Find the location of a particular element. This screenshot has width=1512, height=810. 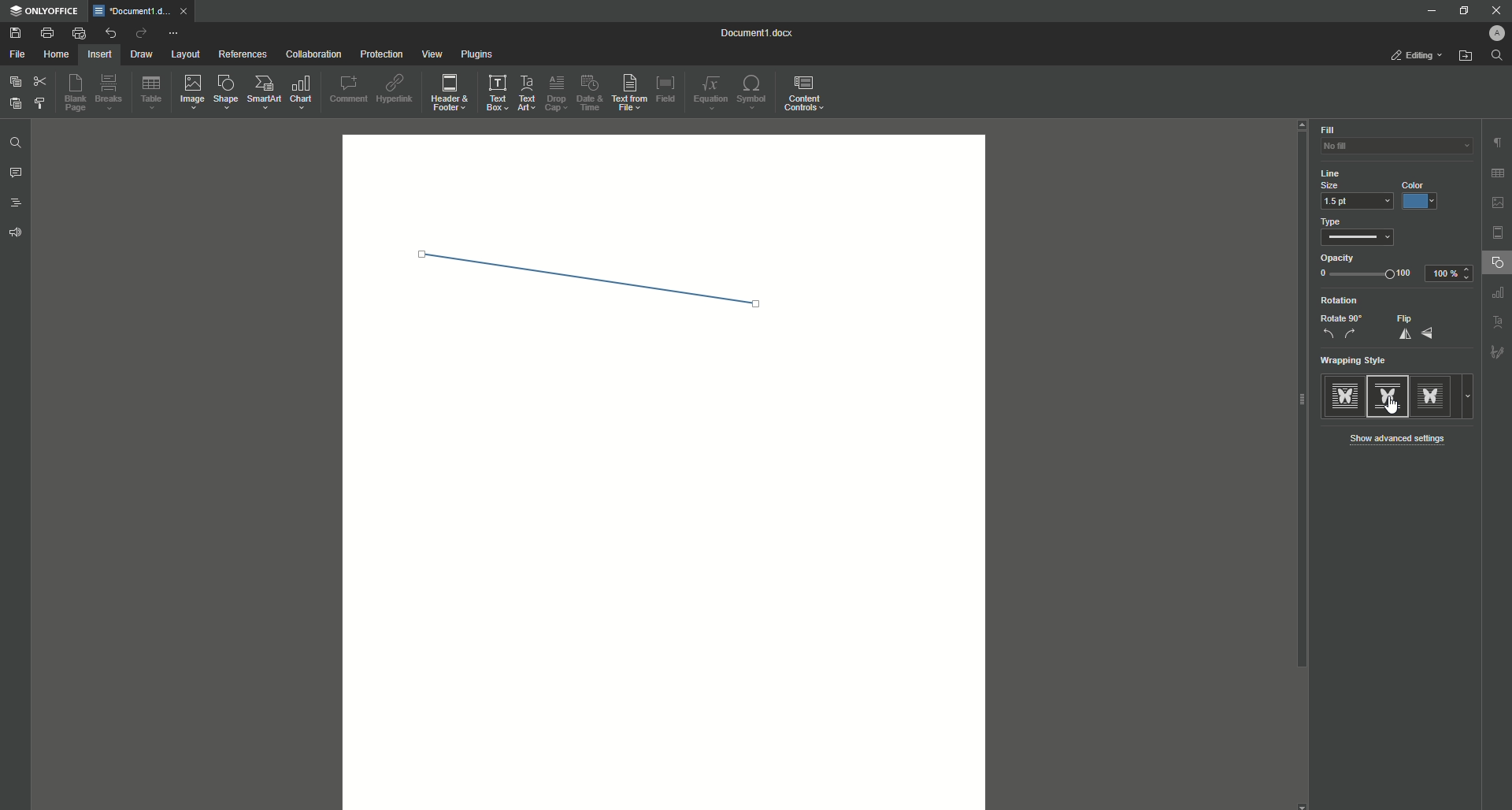

Profile is located at coordinates (1489, 34).